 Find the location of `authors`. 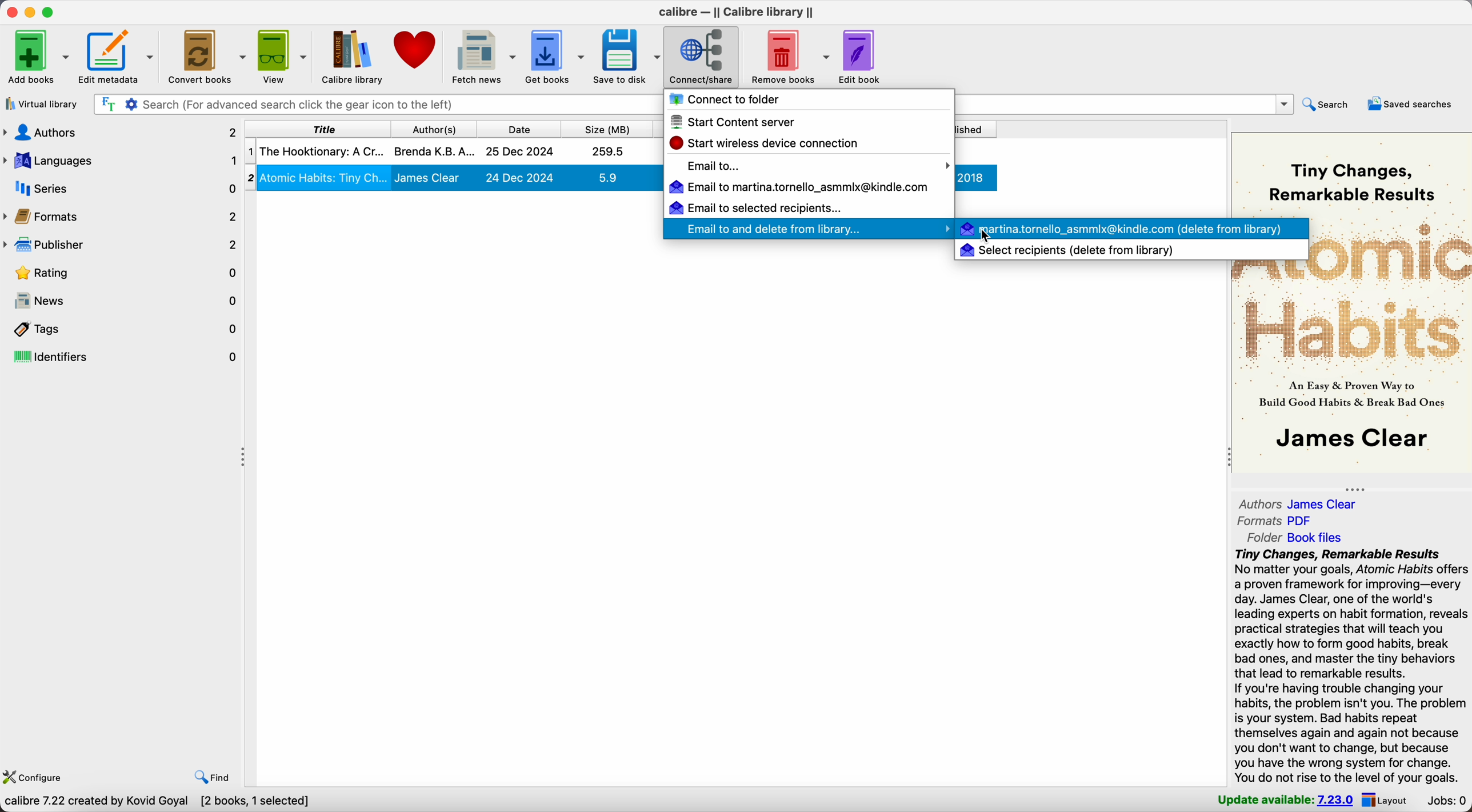

authors is located at coordinates (1298, 504).